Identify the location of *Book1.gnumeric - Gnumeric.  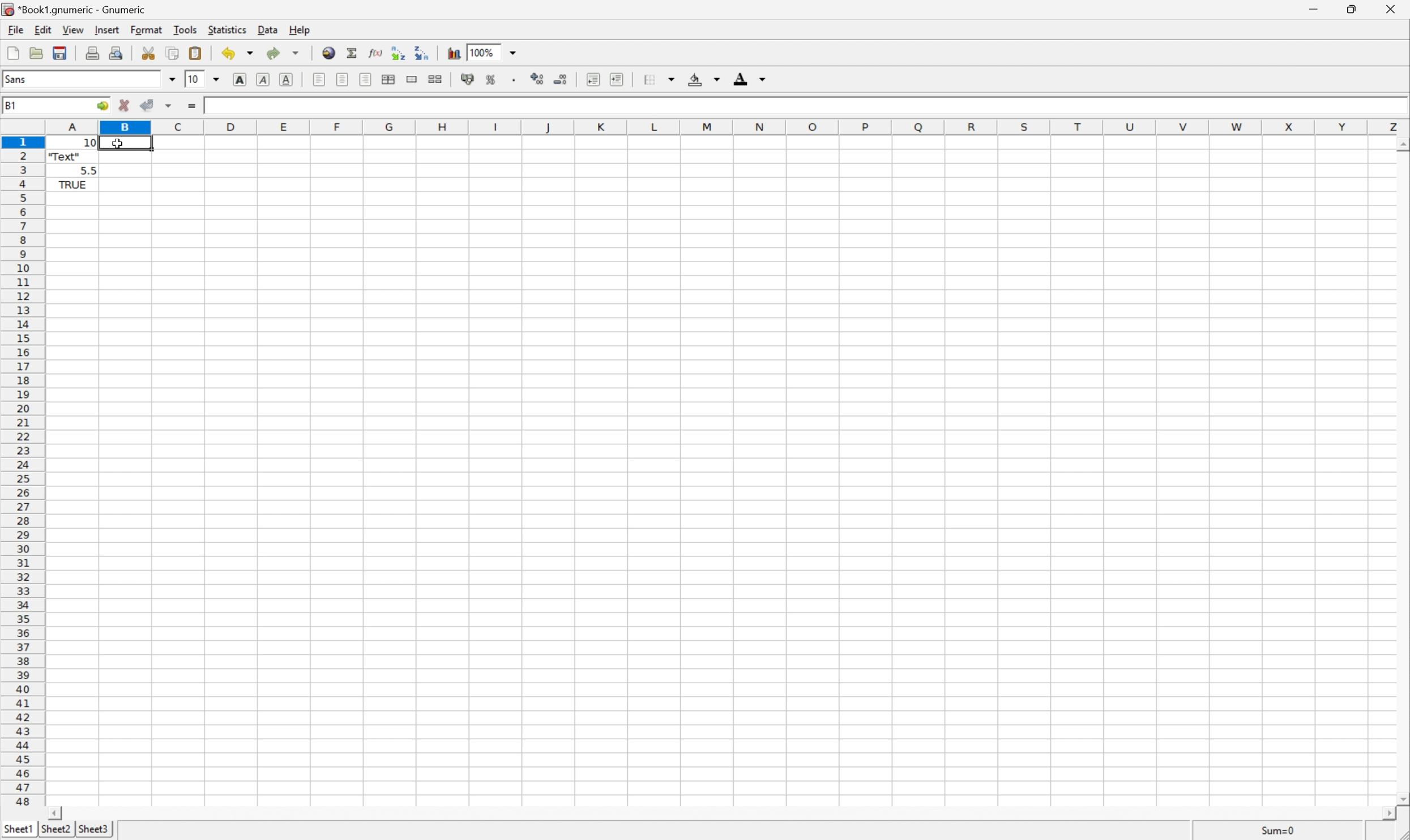
(77, 8).